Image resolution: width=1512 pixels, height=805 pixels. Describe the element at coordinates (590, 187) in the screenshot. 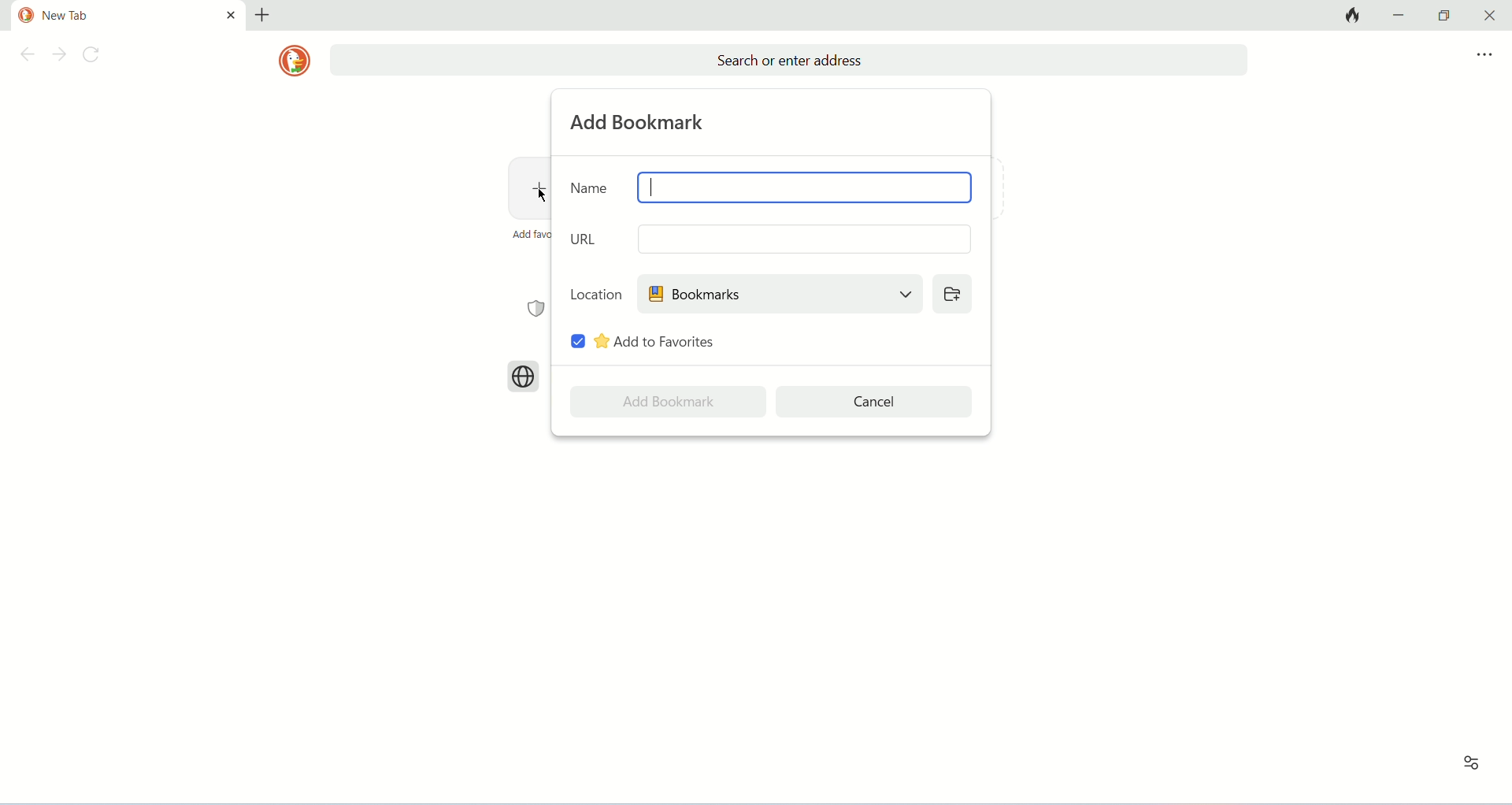

I see `NAME` at that location.